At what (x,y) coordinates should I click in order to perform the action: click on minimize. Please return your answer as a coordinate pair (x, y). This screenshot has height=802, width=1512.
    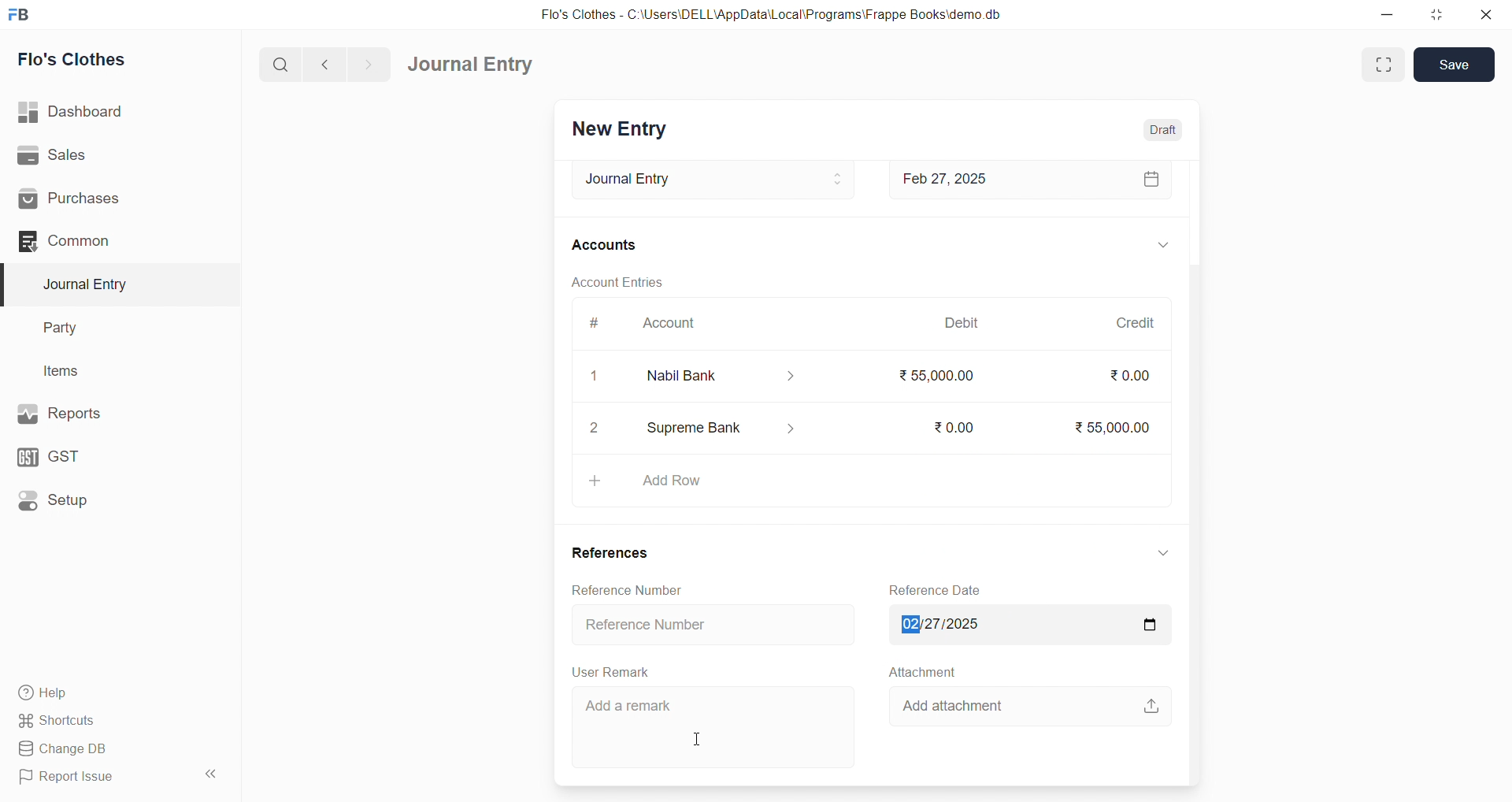
    Looking at the image, I should click on (1384, 13).